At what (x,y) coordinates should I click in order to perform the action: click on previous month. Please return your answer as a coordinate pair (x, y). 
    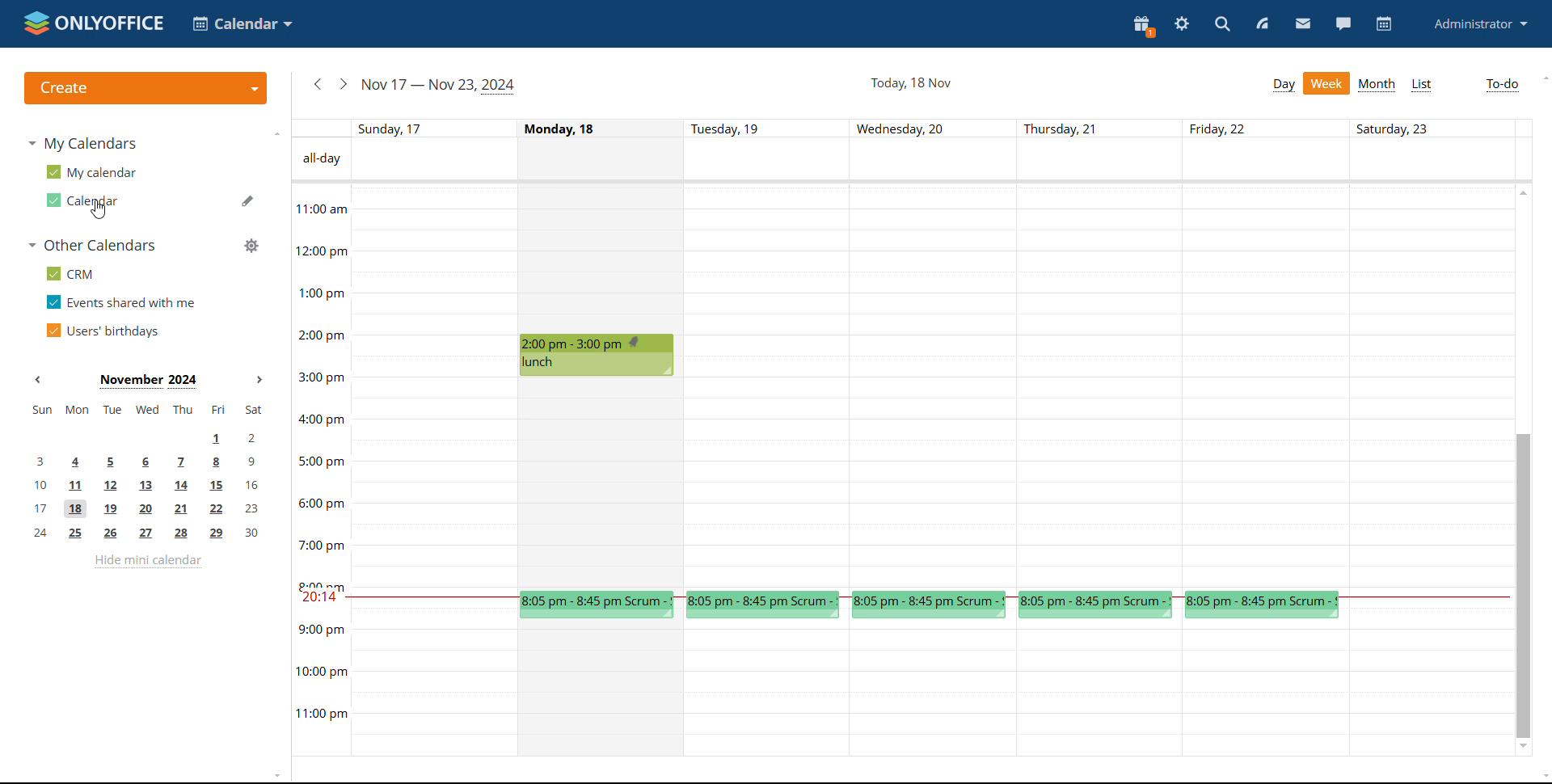
    Looking at the image, I should click on (318, 85).